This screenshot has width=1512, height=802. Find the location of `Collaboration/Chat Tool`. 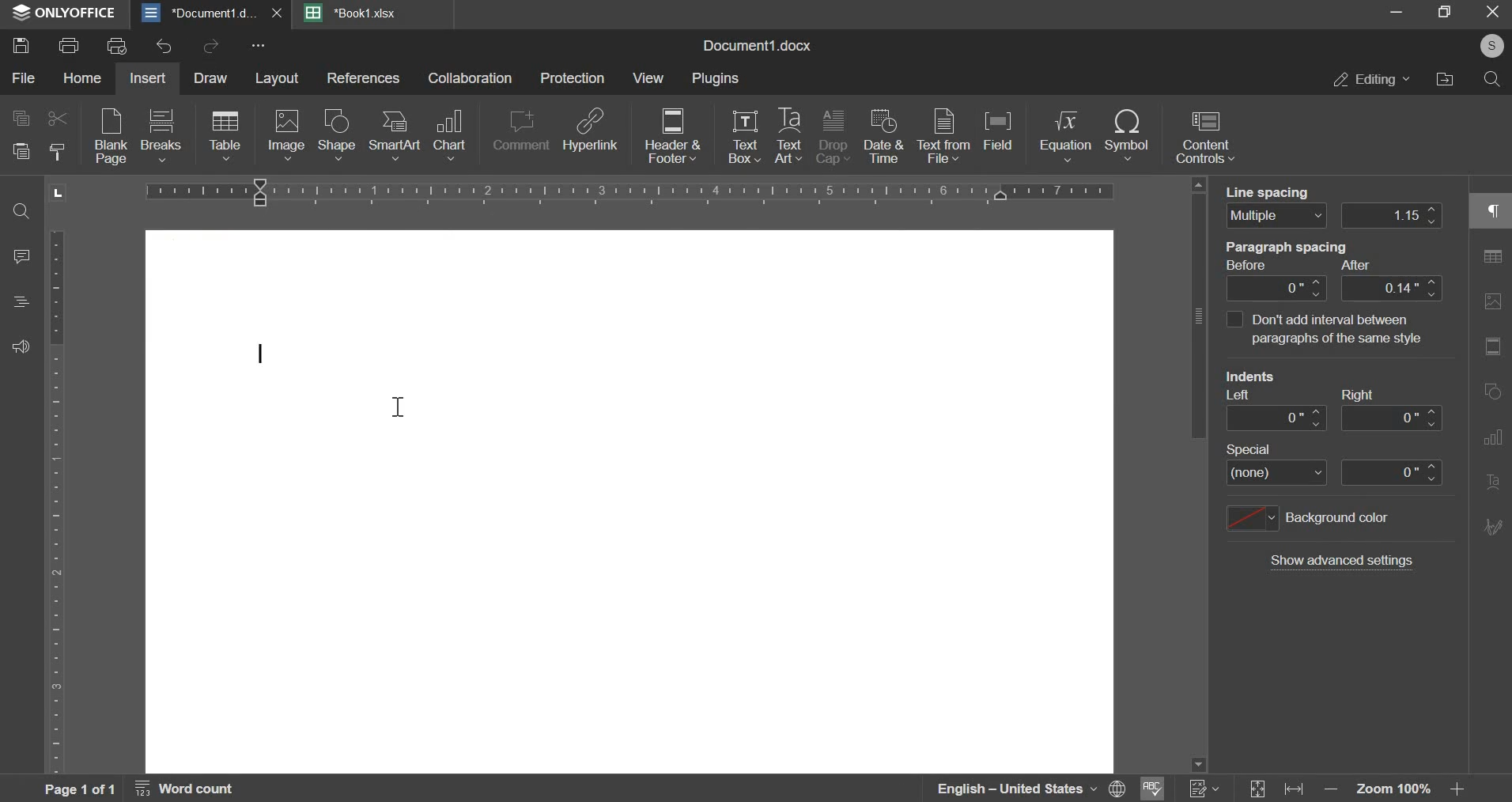

Collaboration/Chat Tool is located at coordinates (1493, 617).